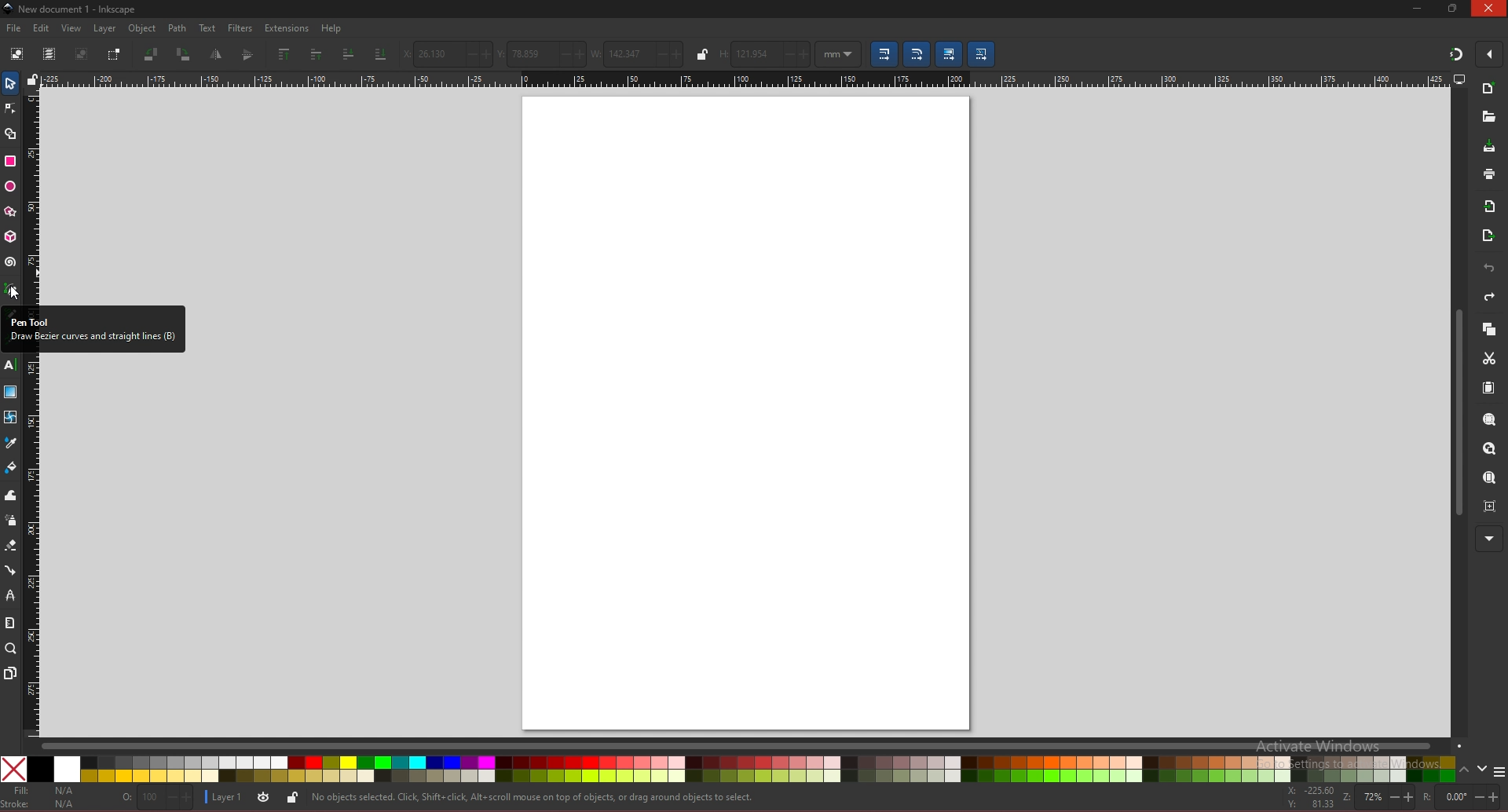 The image size is (1508, 812). I want to click on scale stroke width, so click(884, 54).